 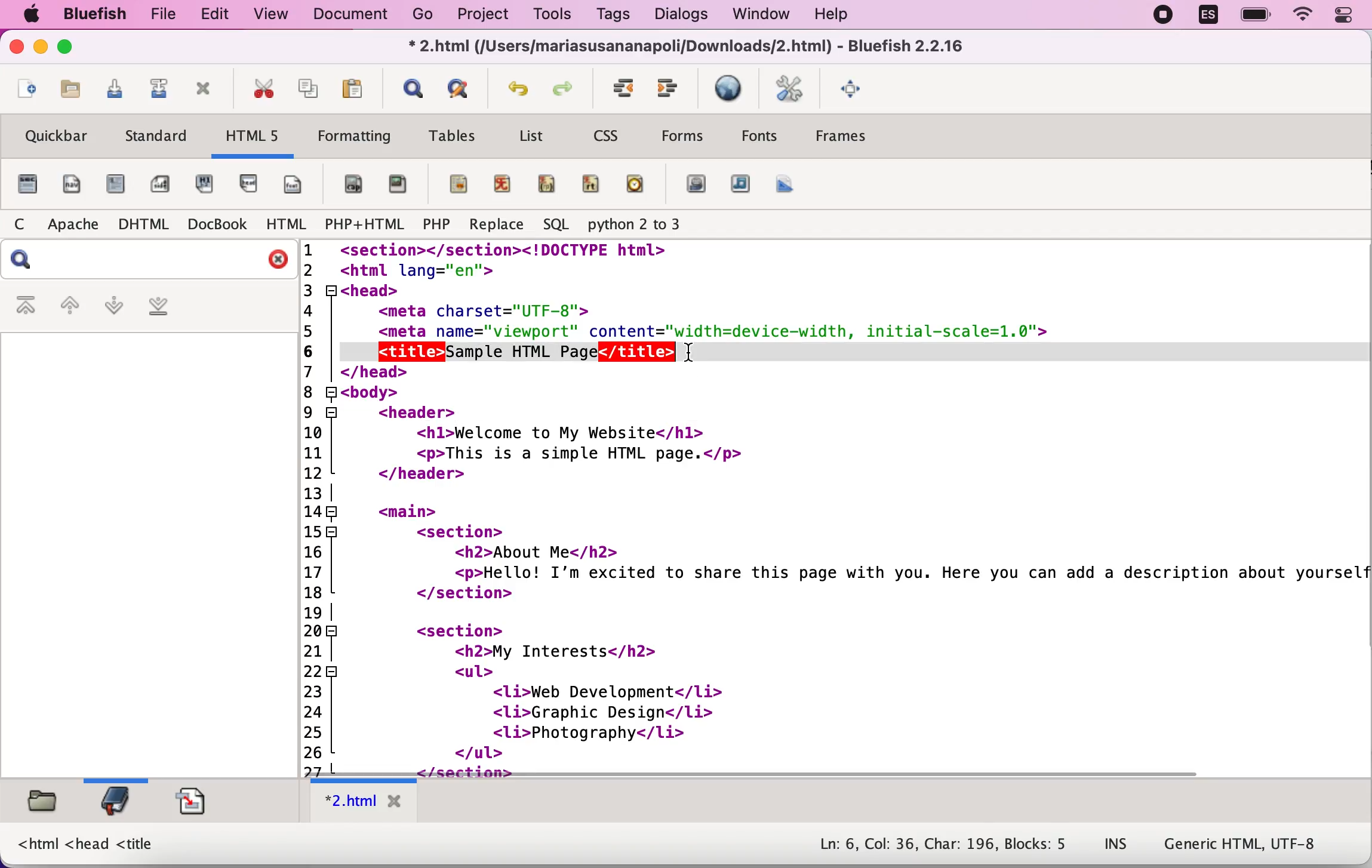 I want to click on dialogs, so click(x=682, y=14).